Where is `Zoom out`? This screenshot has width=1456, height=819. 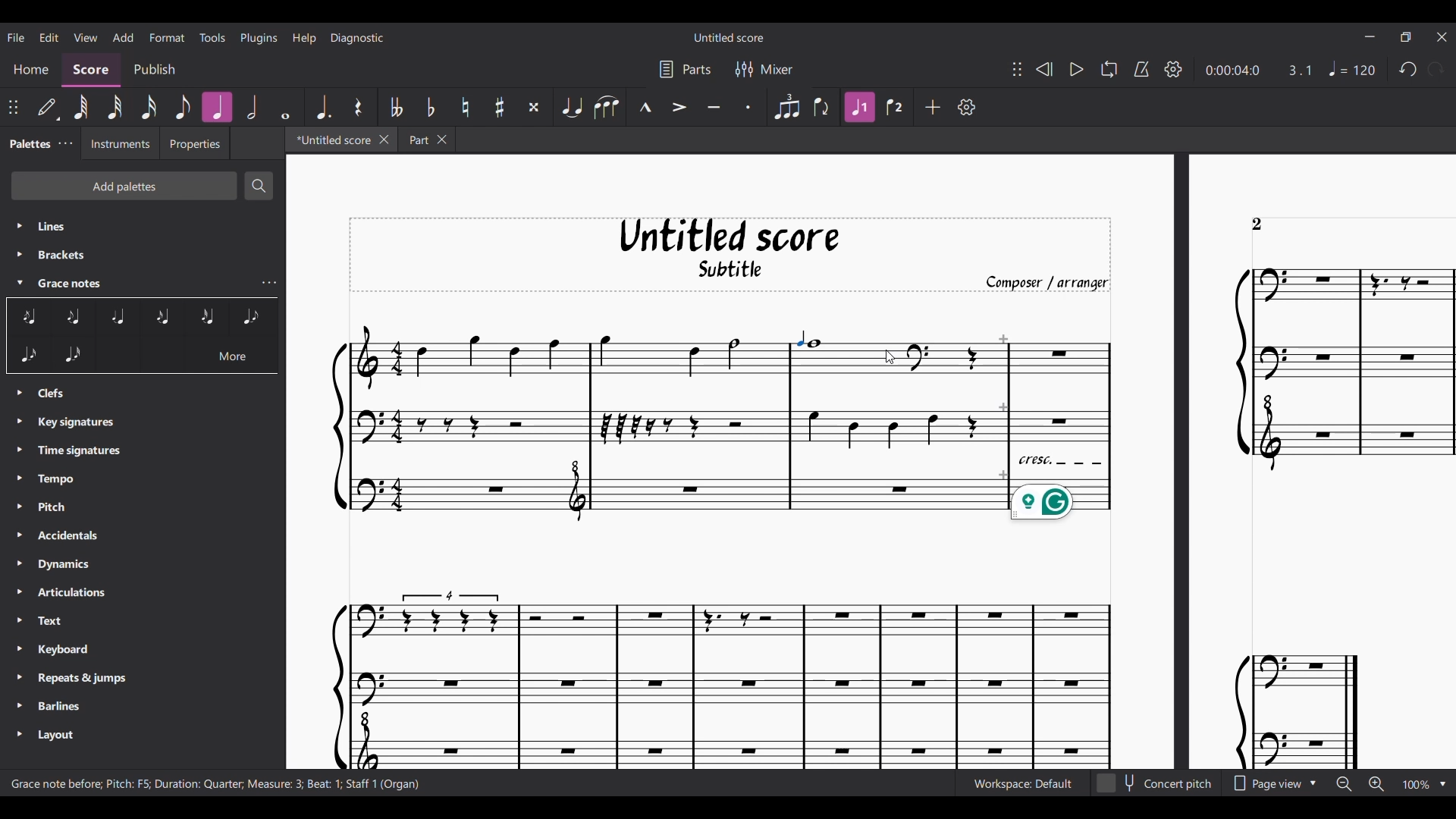 Zoom out is located at coordinates (1344, 784).